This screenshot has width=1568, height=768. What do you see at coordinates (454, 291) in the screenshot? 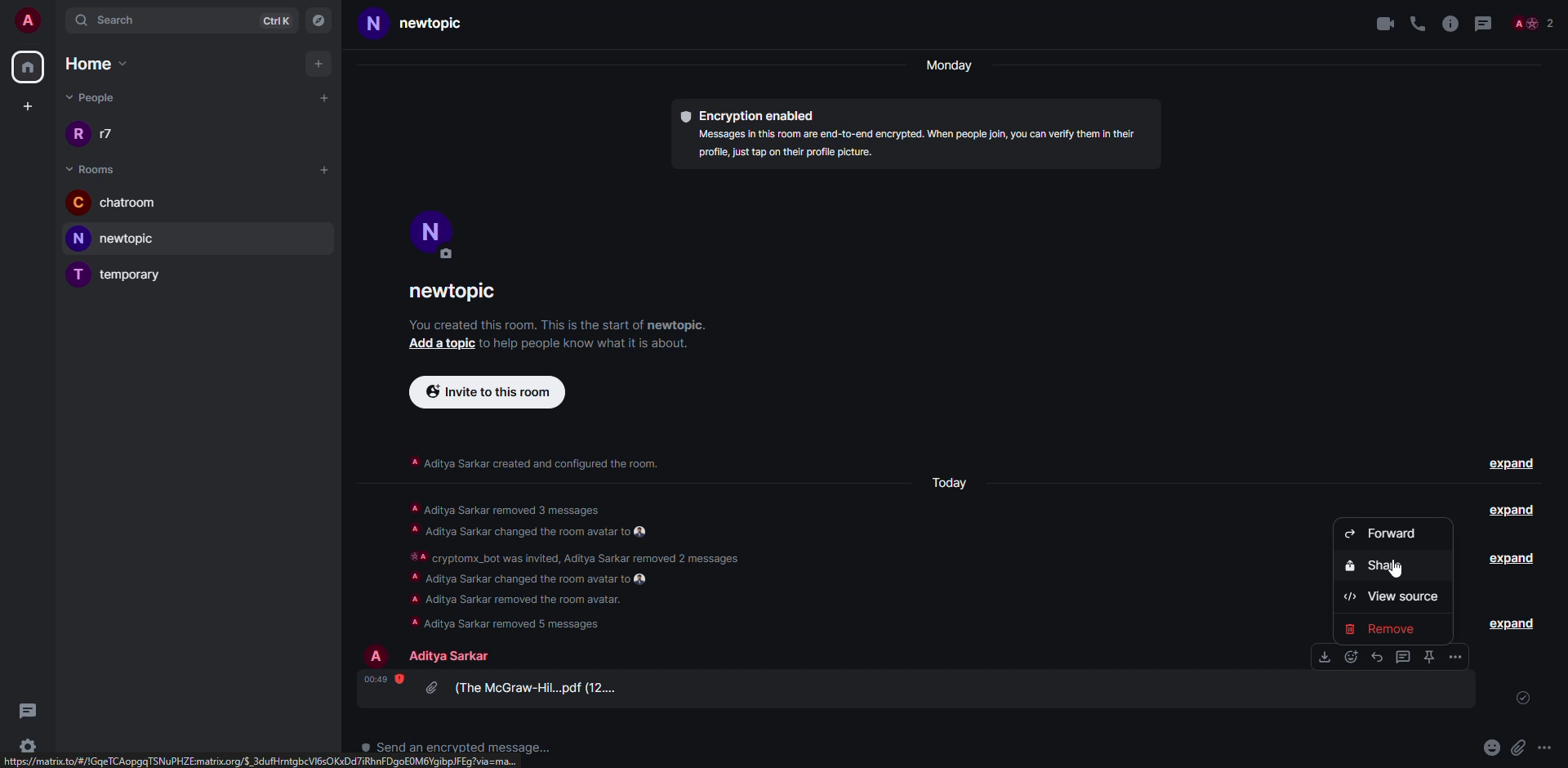
I see `room` at bounding box center [454, 291].